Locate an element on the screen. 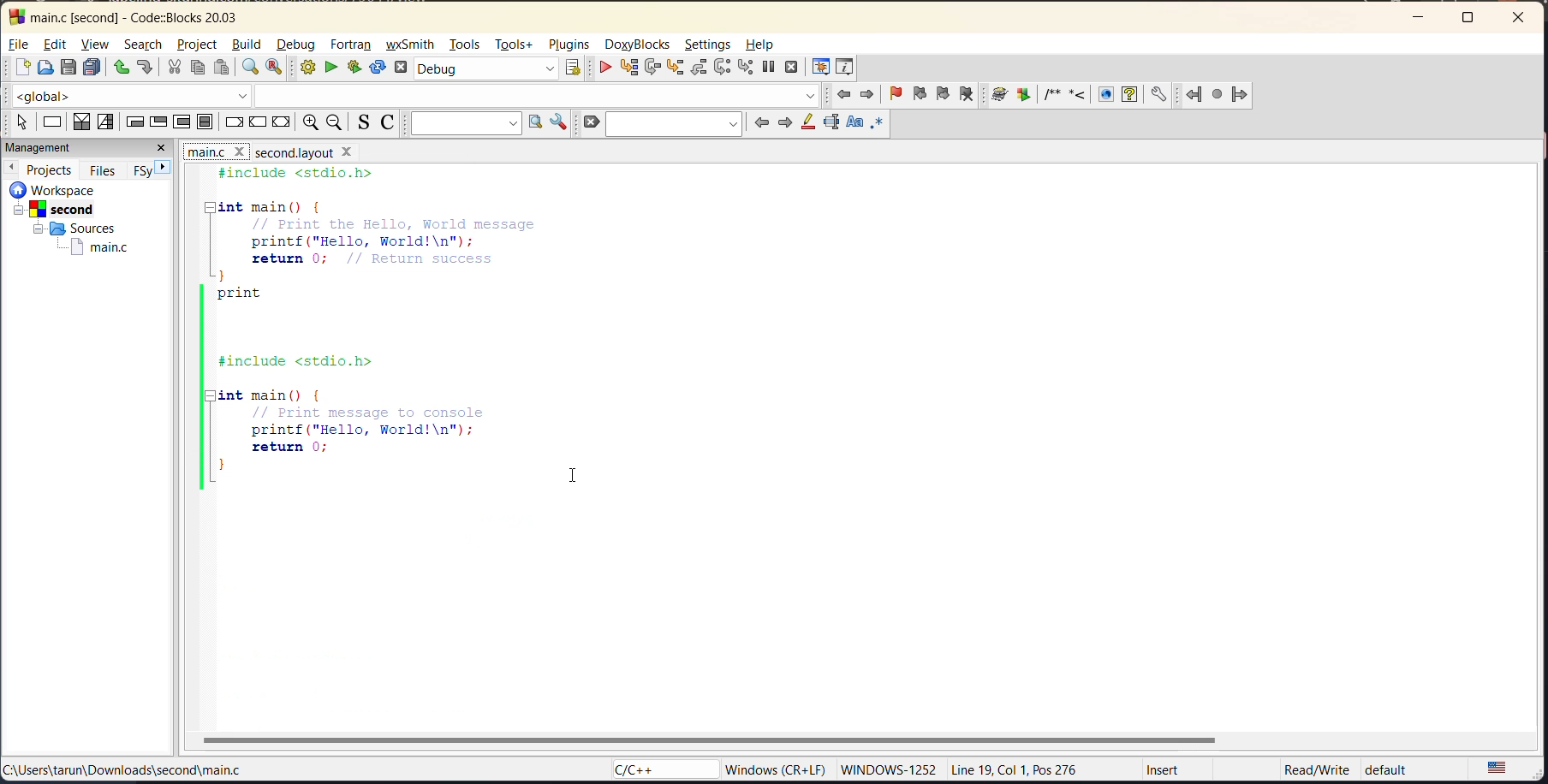  clear bookmark is located at coordinates (966, 95).